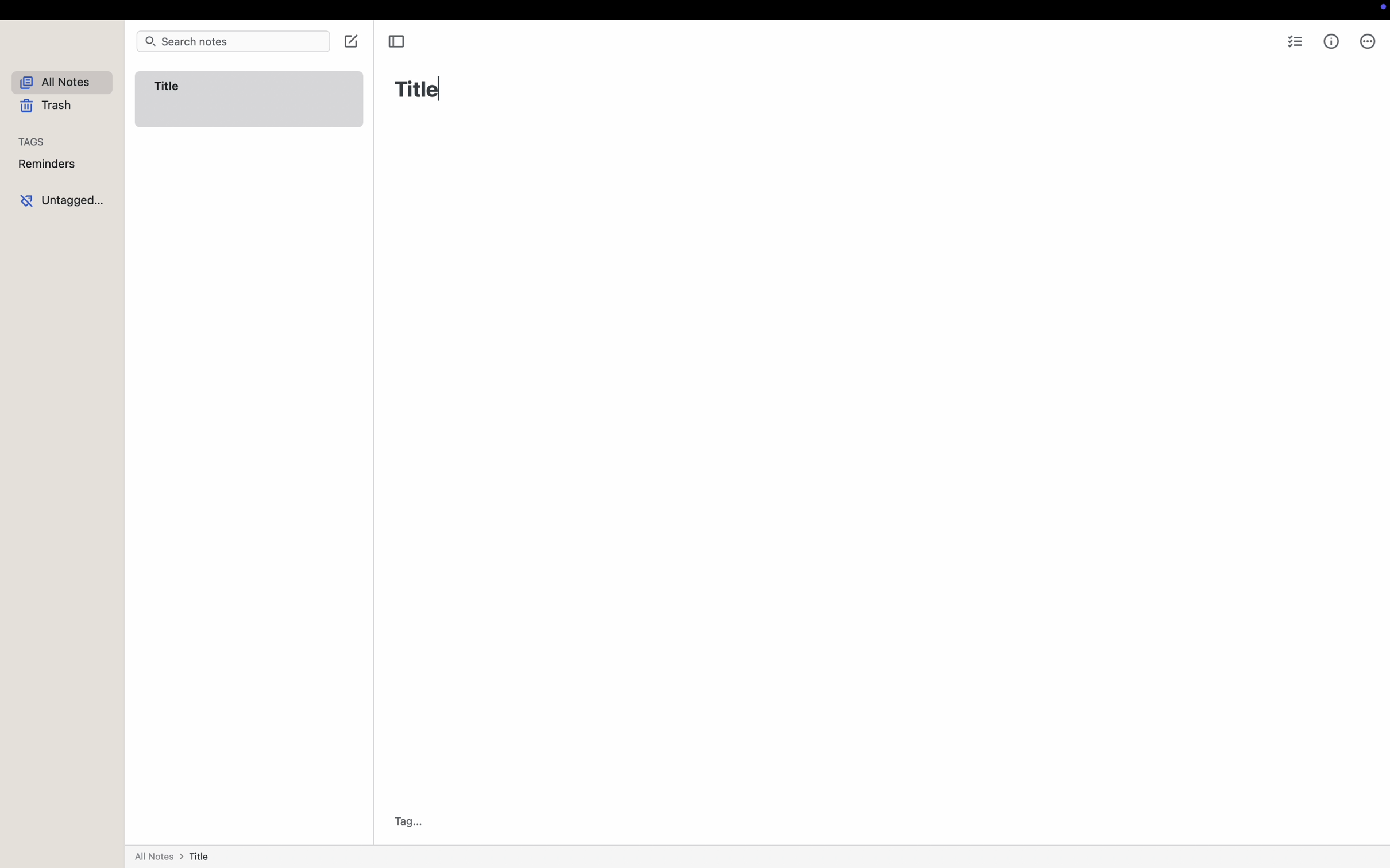  Describe the element at coordinates (1292, 44) in the screenshot. I see `checklist` at that location.